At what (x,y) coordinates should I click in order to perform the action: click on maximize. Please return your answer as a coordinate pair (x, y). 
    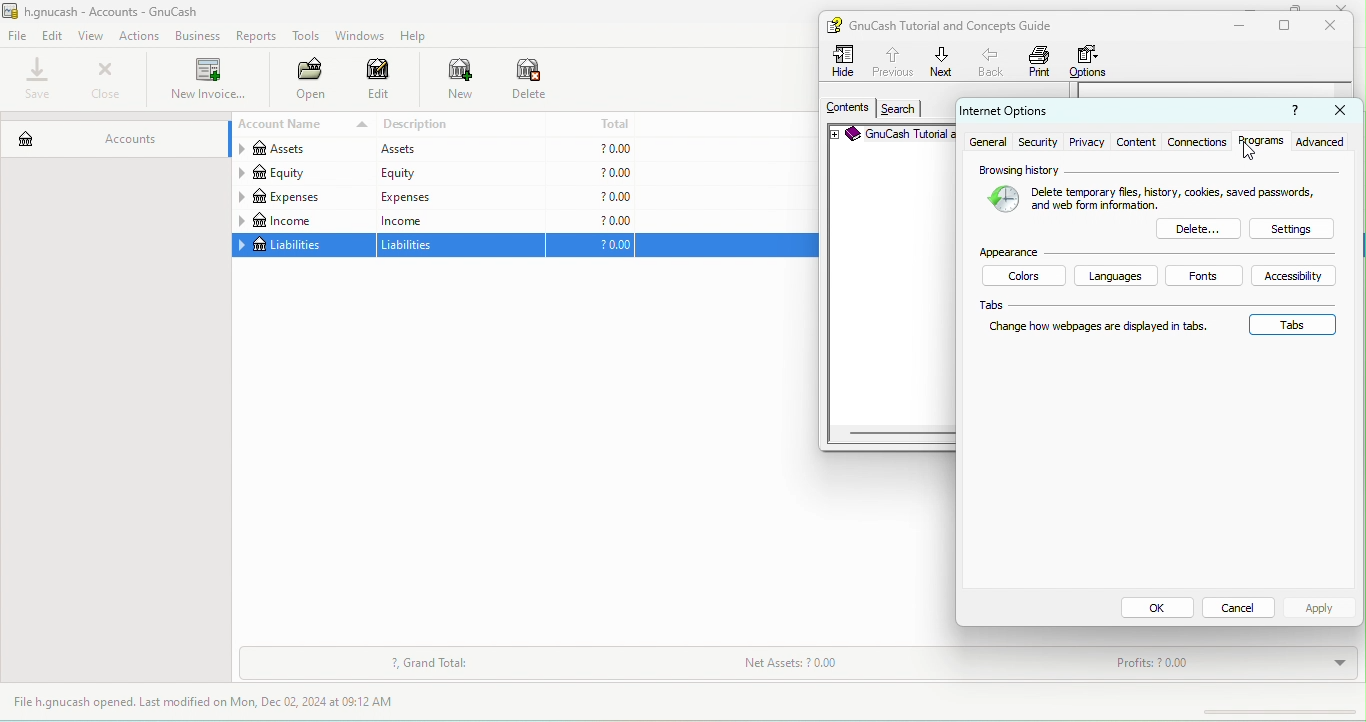
    Looking at the image, I should click on (1288, 26).